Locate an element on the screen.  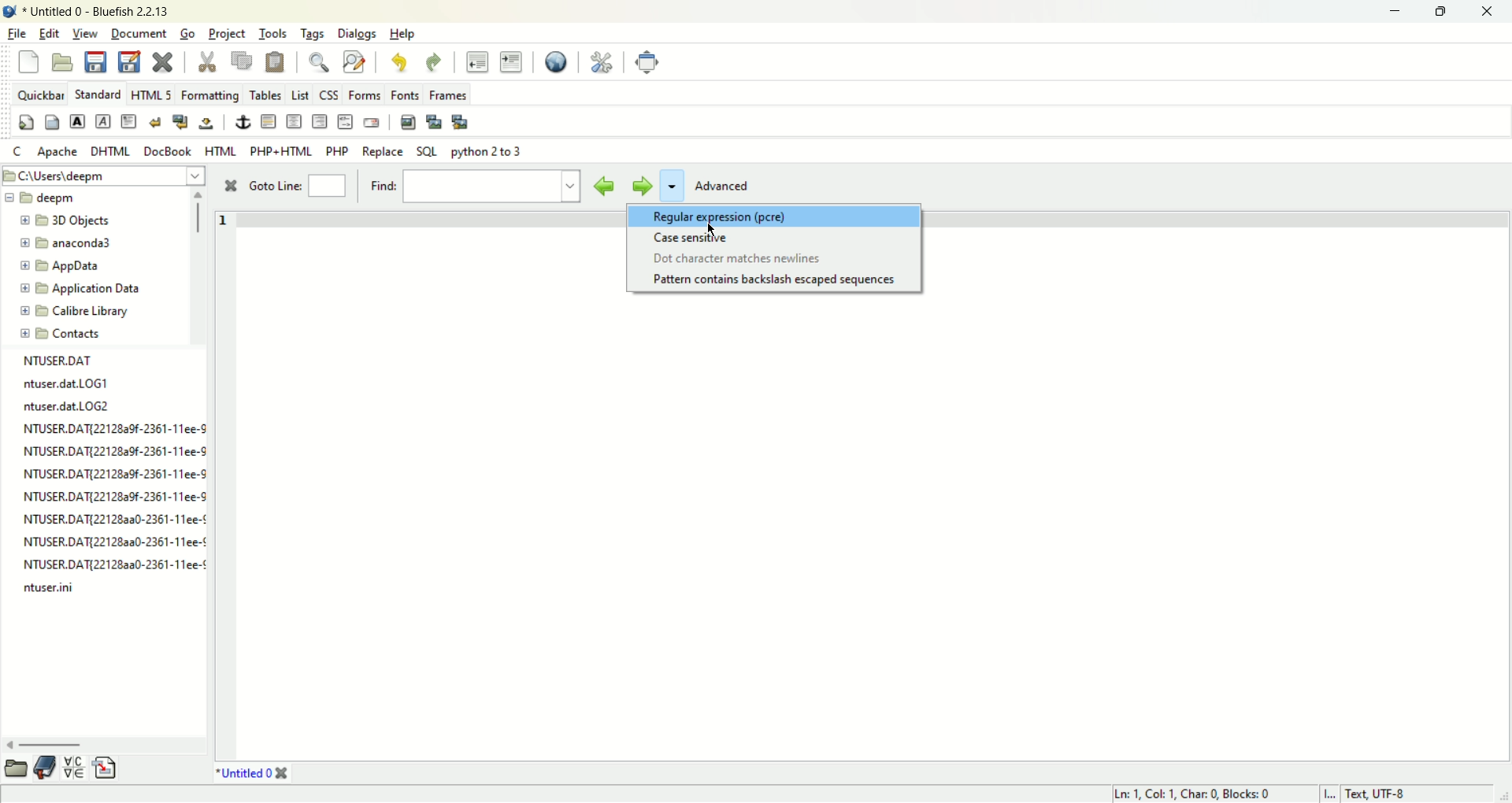
preview in browser is located at coordinates (557, 61).